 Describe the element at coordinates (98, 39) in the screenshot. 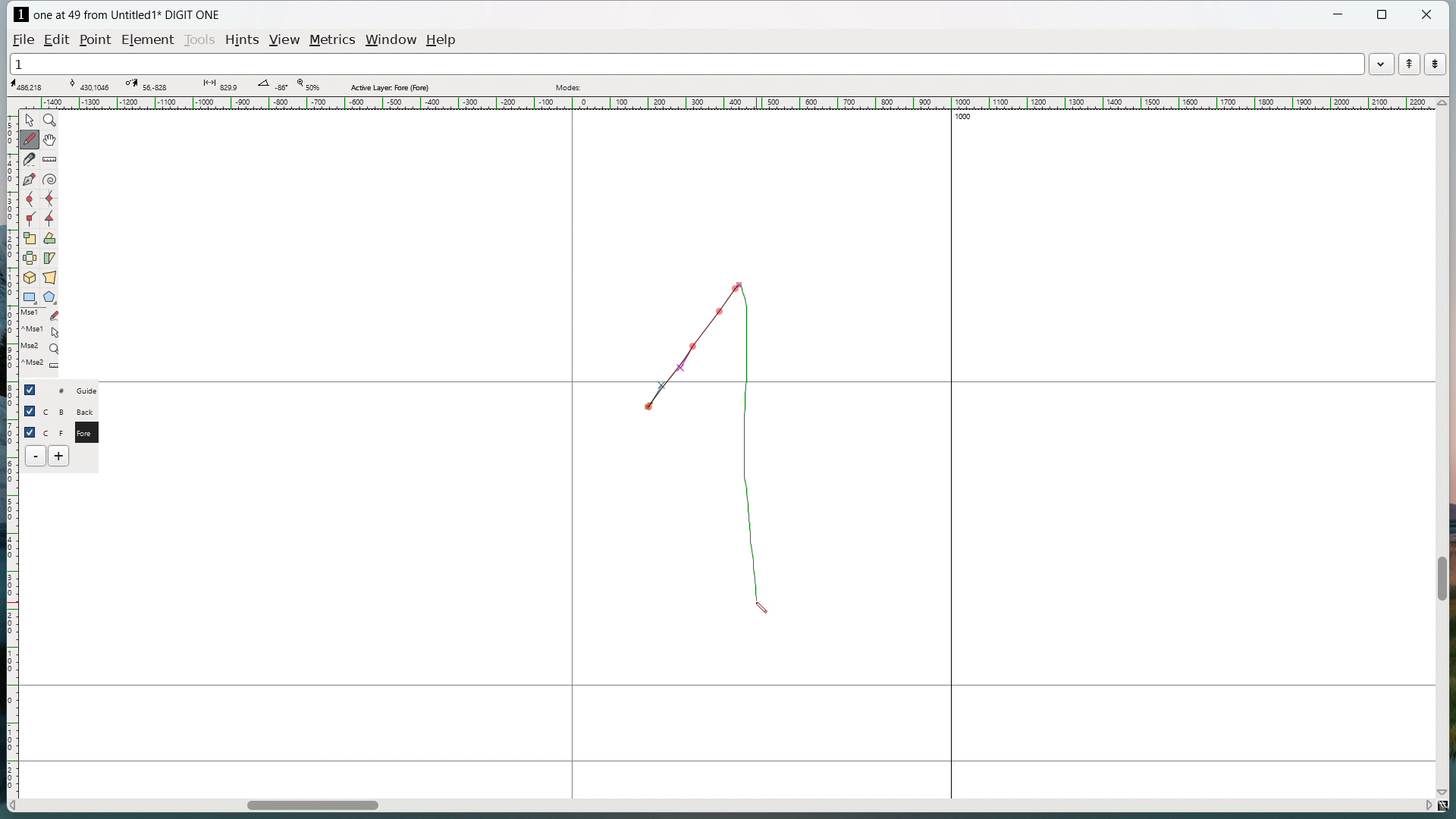

I see `Point` at that location.